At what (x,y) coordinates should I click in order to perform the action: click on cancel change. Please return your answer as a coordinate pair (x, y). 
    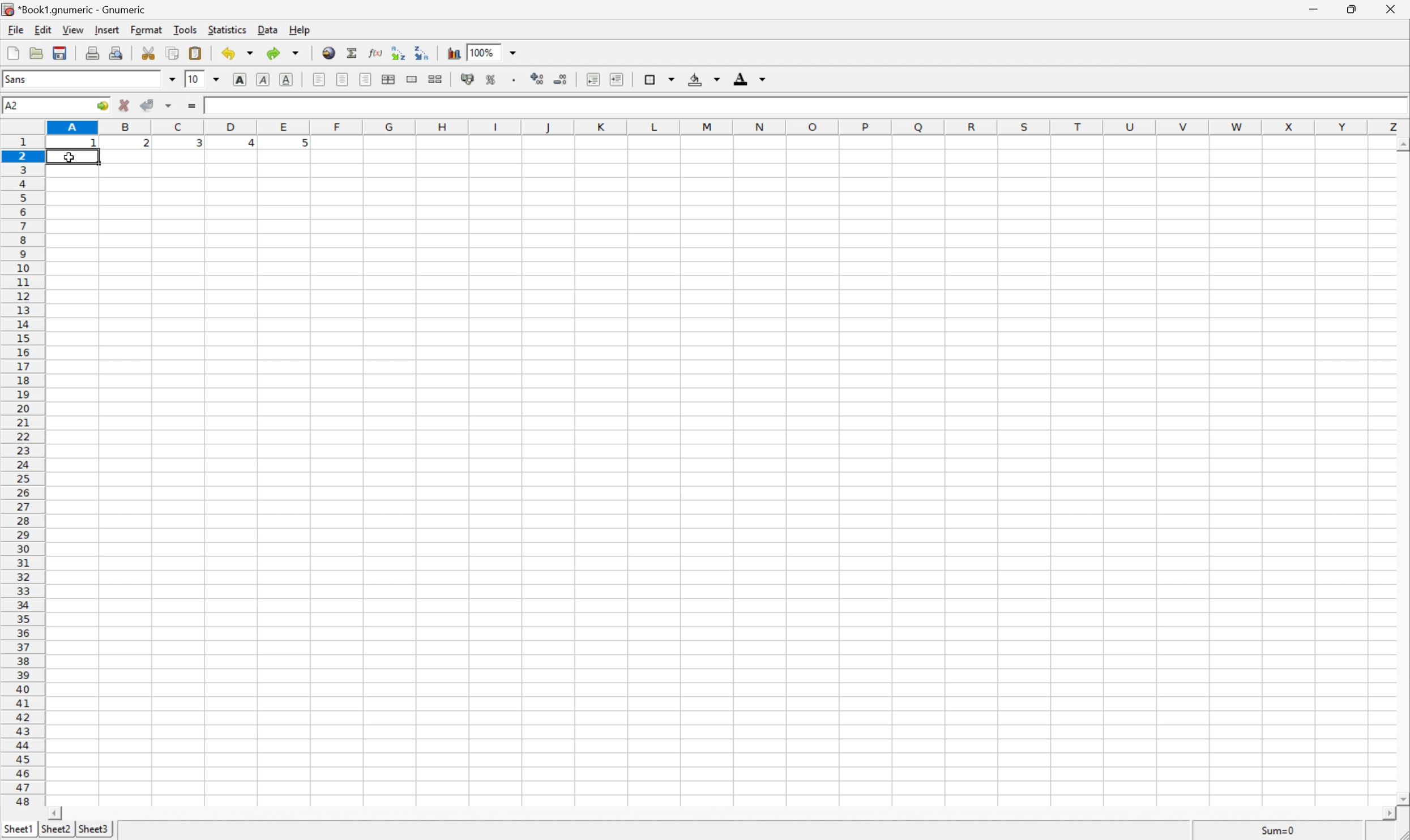
    Looking at the image, I should click on (125, 106).